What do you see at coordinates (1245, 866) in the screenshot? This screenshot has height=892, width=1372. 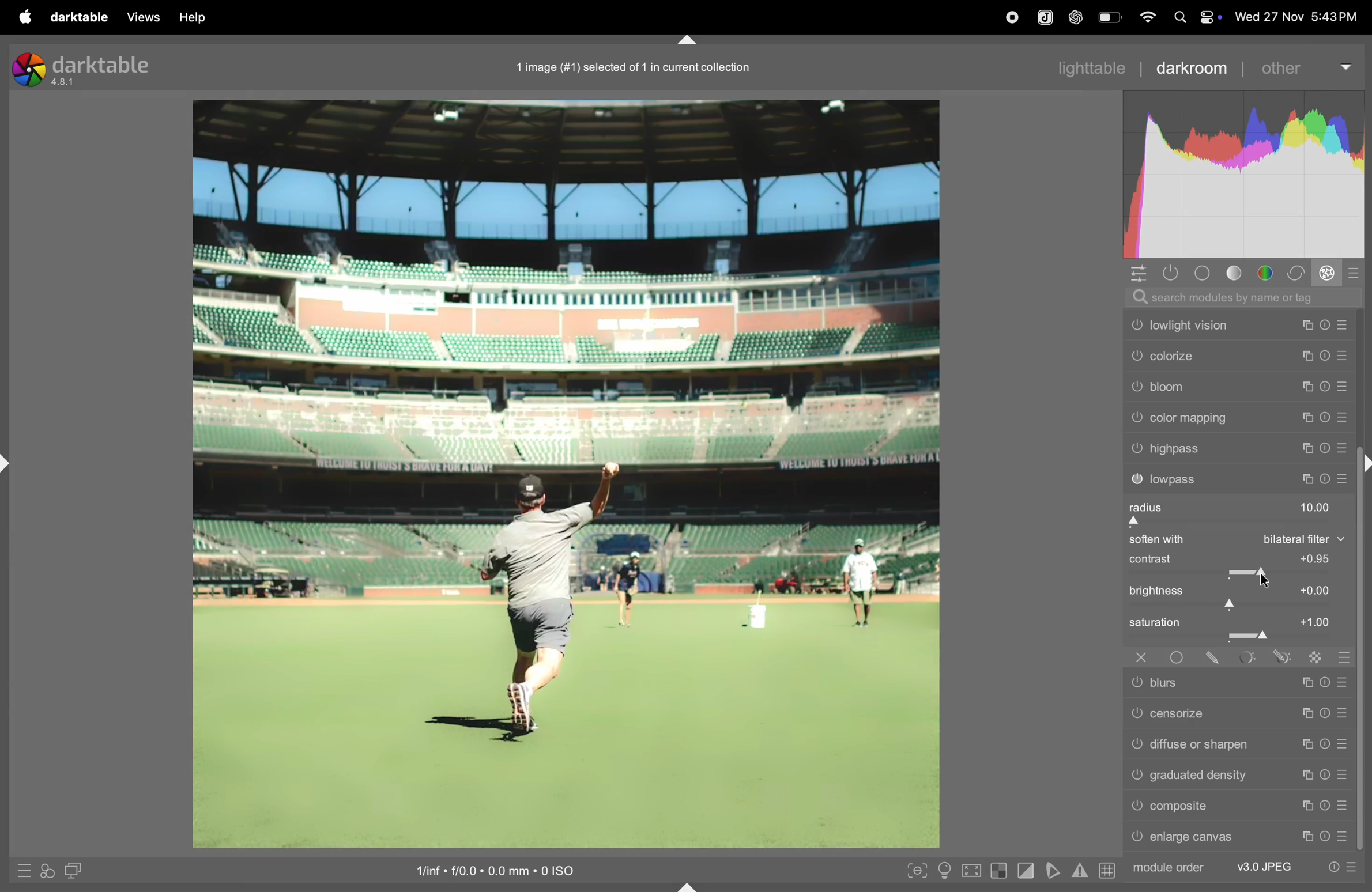 I see `module order` at bounding box center [1245, 866].